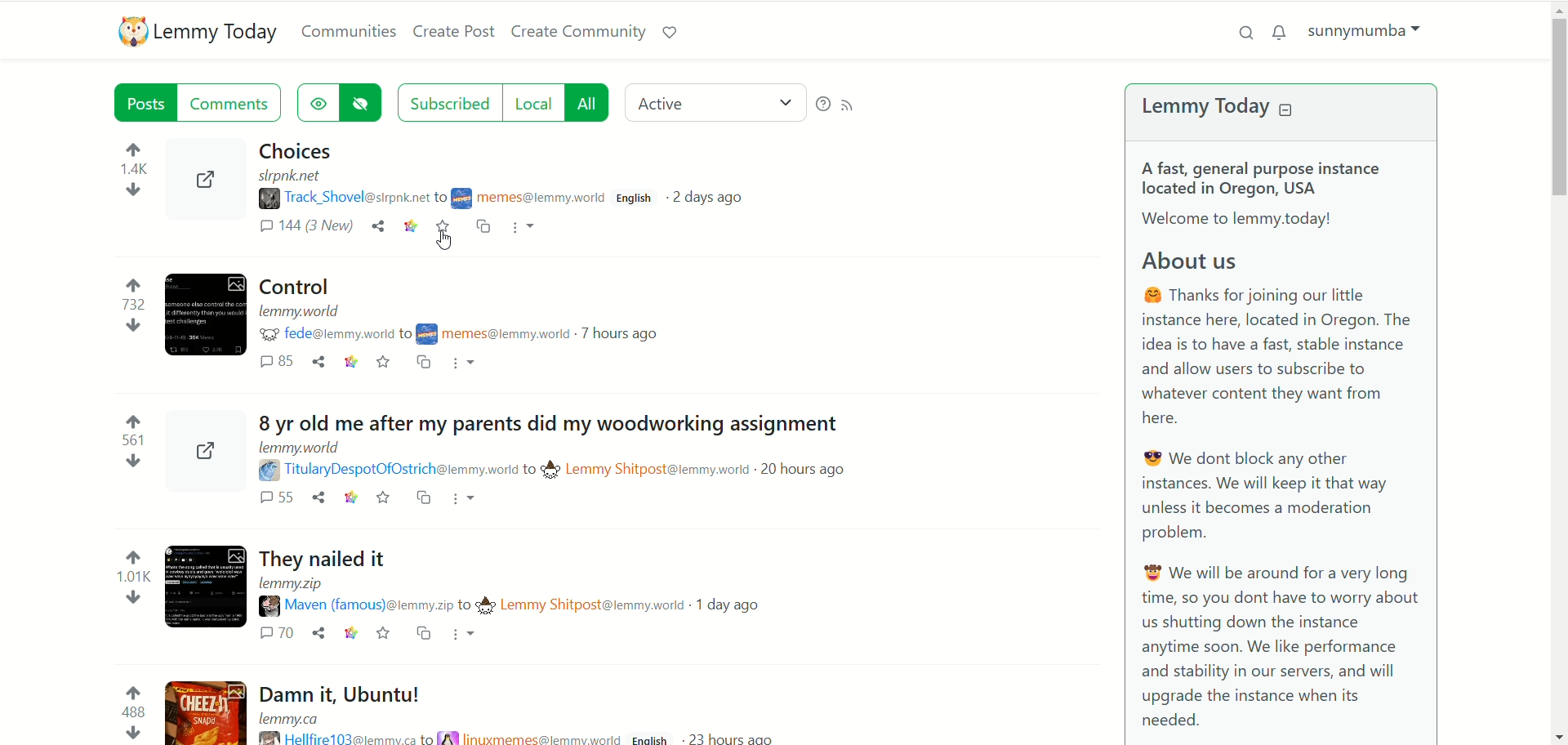  Describe the element at coordinates (264, 498) in the screenshot. I see `comments` at that location.